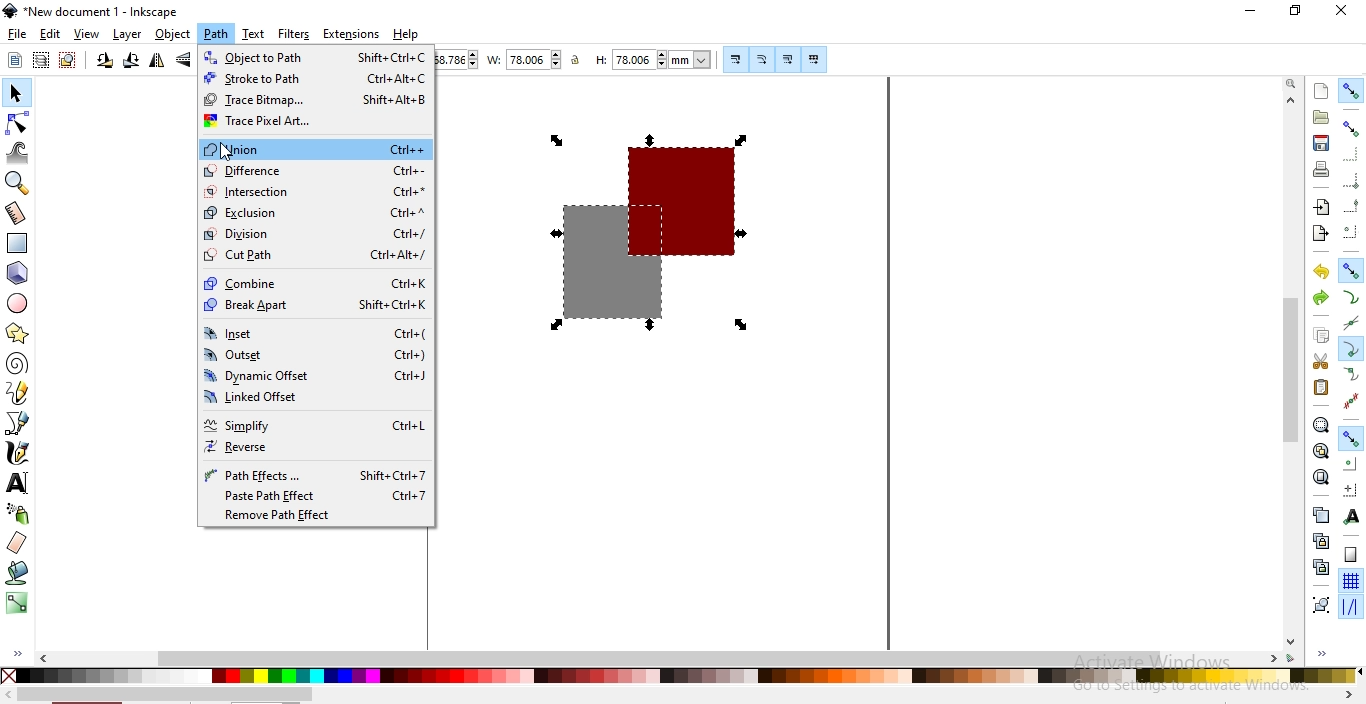 The image size is (1366, 704). Describe the element at coordinates (92, 11) in the screenshot. I see `new document 1 - Inkscape` at that location.